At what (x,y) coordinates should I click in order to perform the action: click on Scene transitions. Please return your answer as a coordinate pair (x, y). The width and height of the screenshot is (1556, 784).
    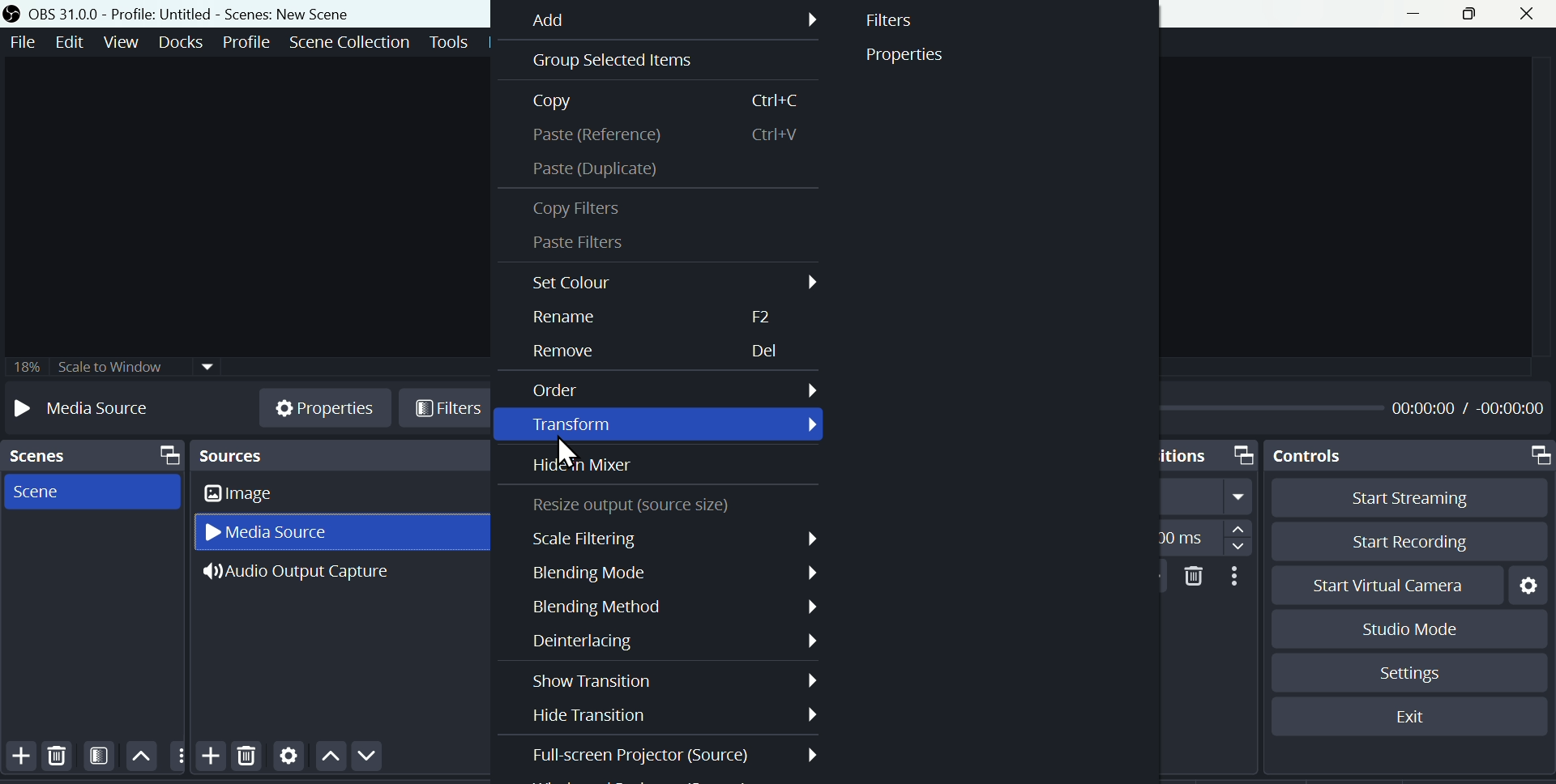
    Looking at the image, I should click on (1209, 454).